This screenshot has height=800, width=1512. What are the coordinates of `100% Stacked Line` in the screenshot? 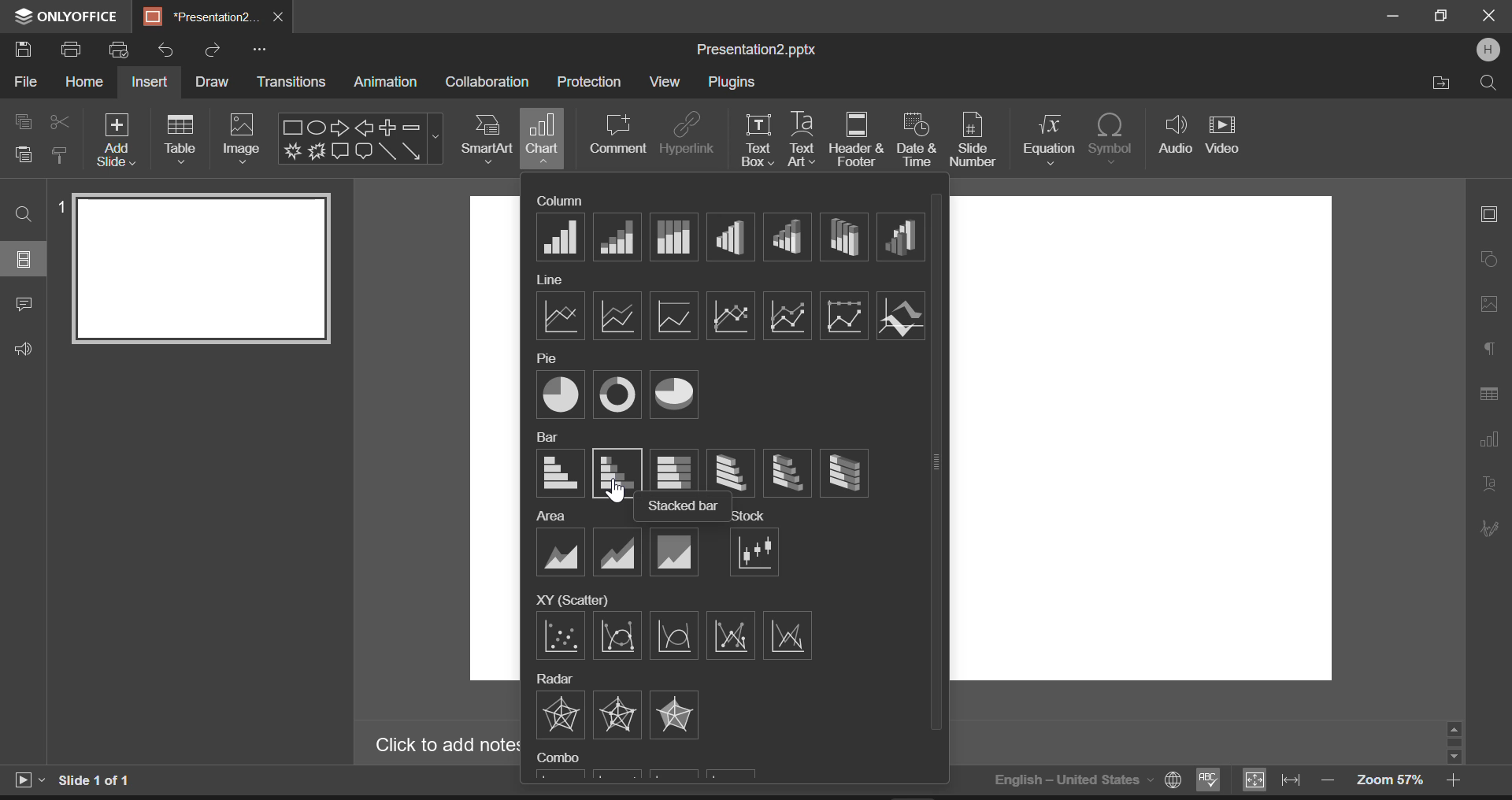 It's located at (673, 318).